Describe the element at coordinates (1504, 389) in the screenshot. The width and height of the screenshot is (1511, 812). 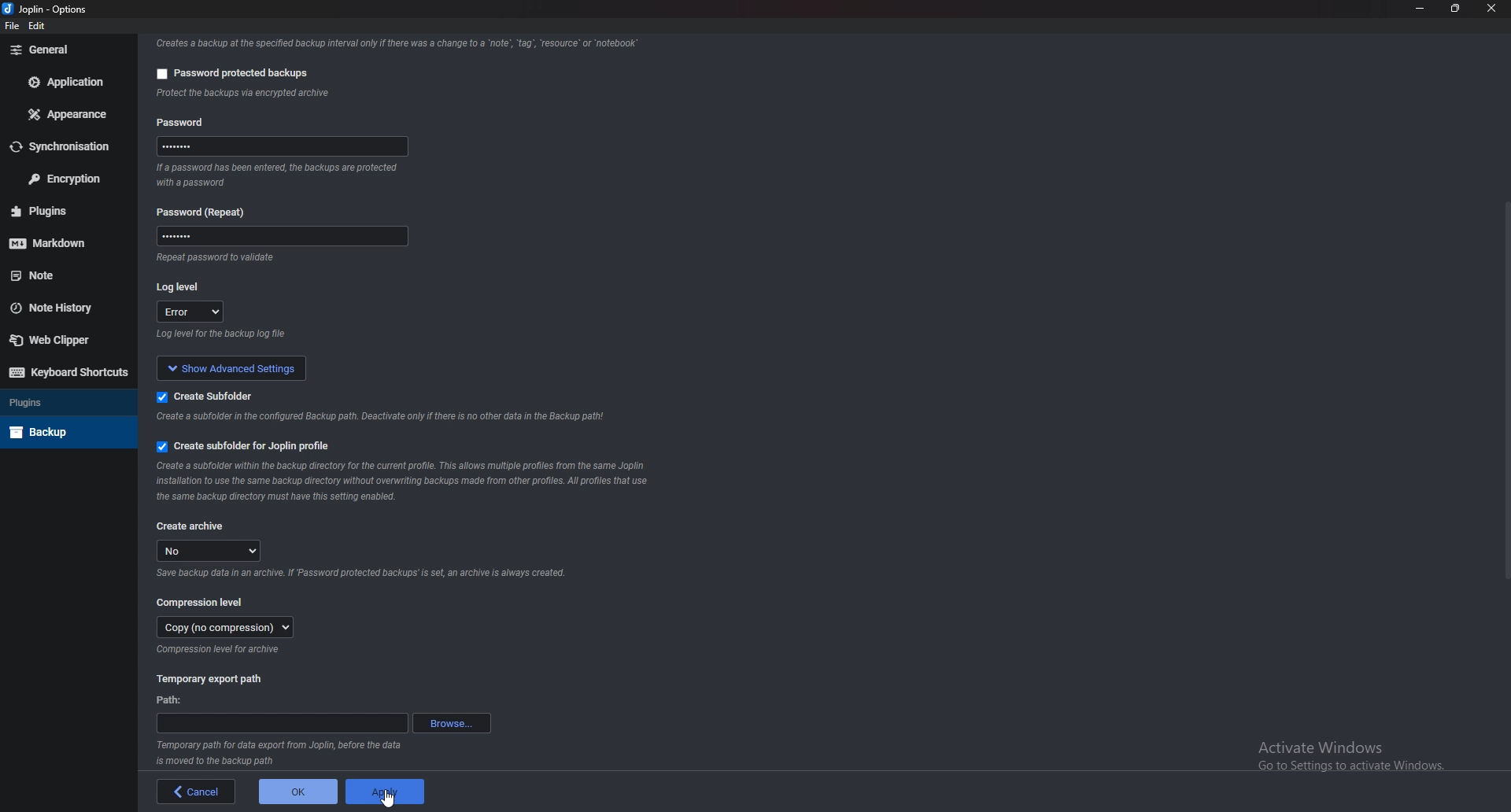
I see `Scroll bar` at that location.